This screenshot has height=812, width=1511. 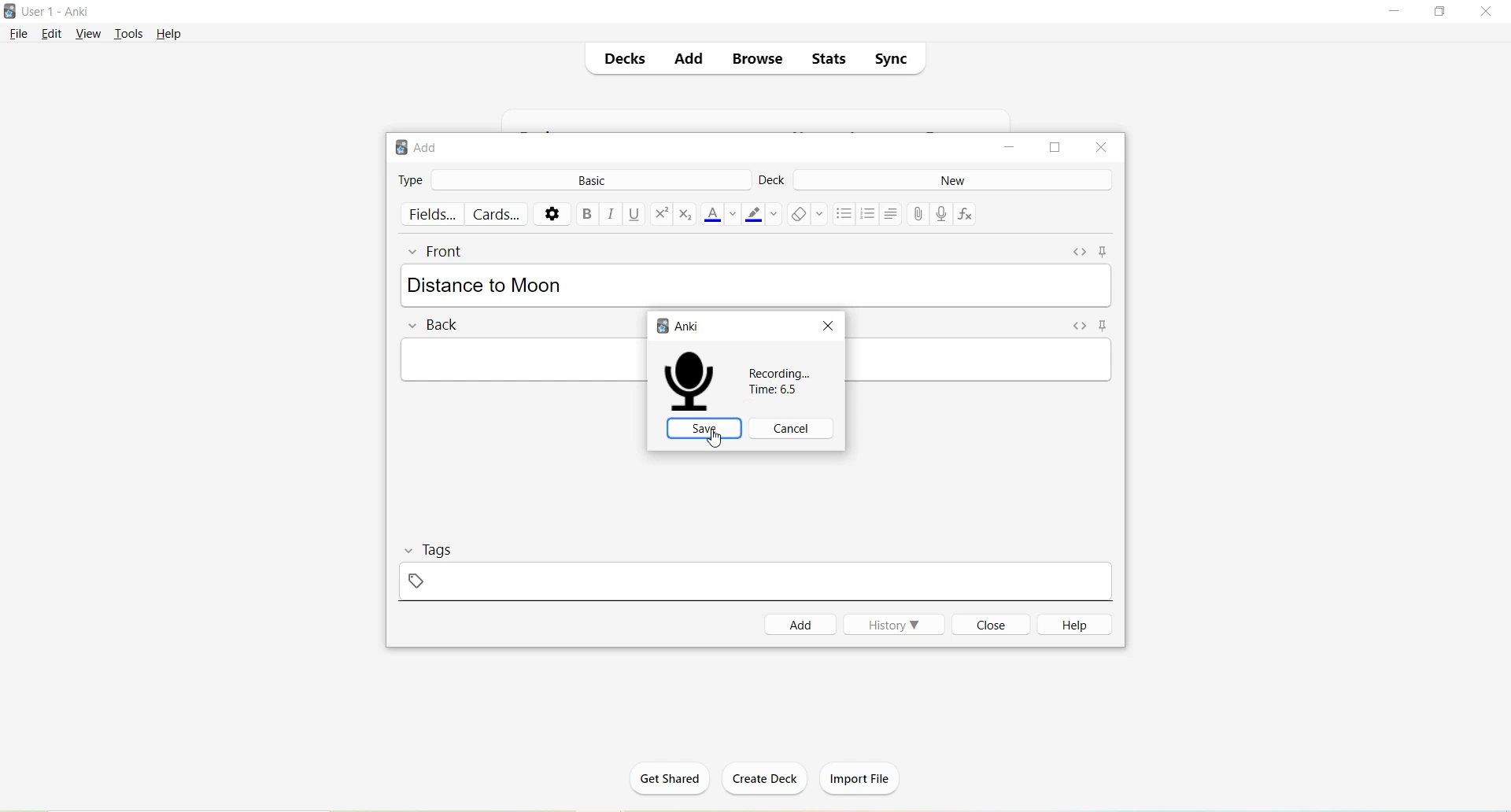 I want to click on Back, so click(x=447, y=326).